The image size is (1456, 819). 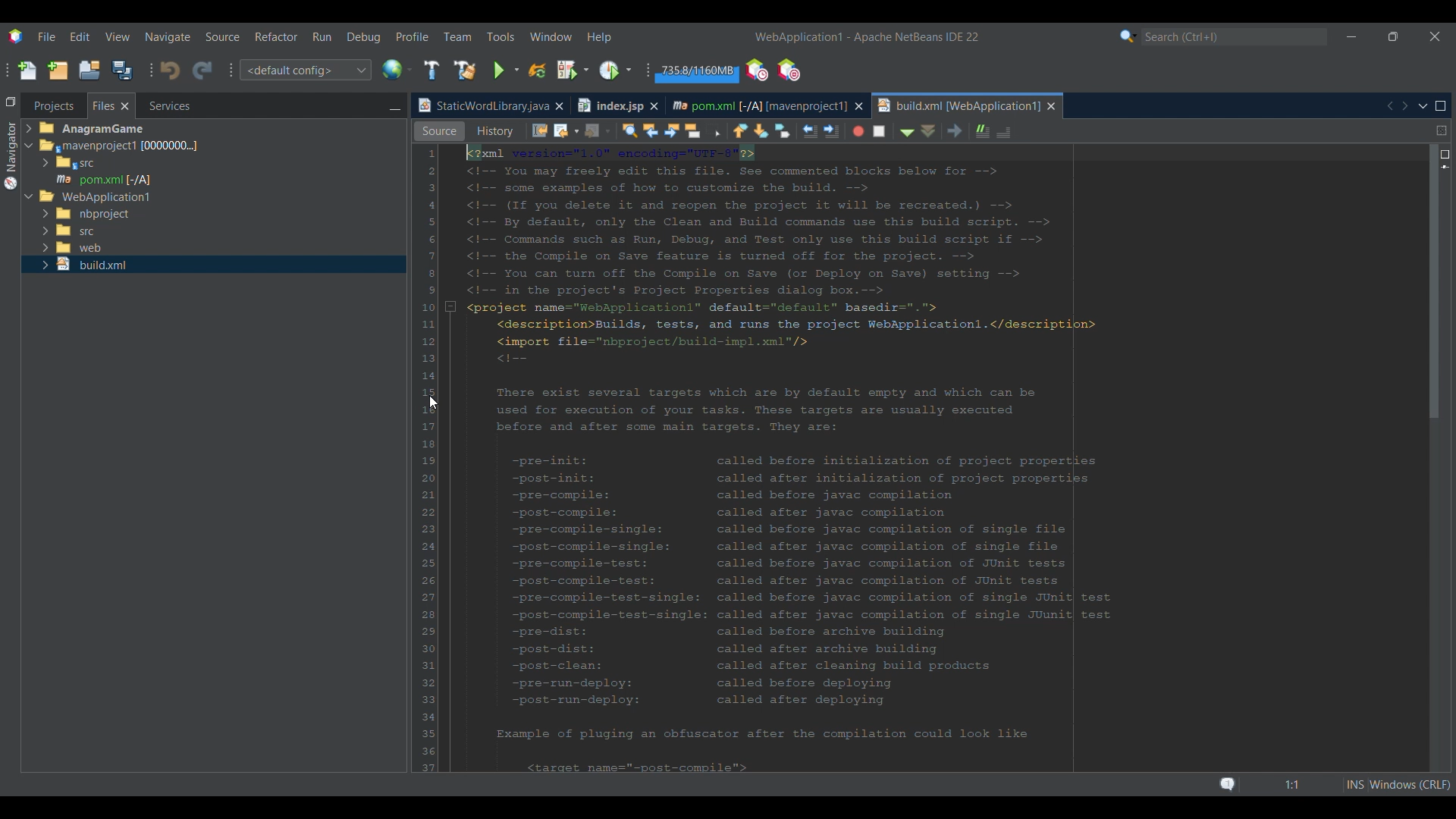 I want to click on Software logo, so click(x=16, y=37).